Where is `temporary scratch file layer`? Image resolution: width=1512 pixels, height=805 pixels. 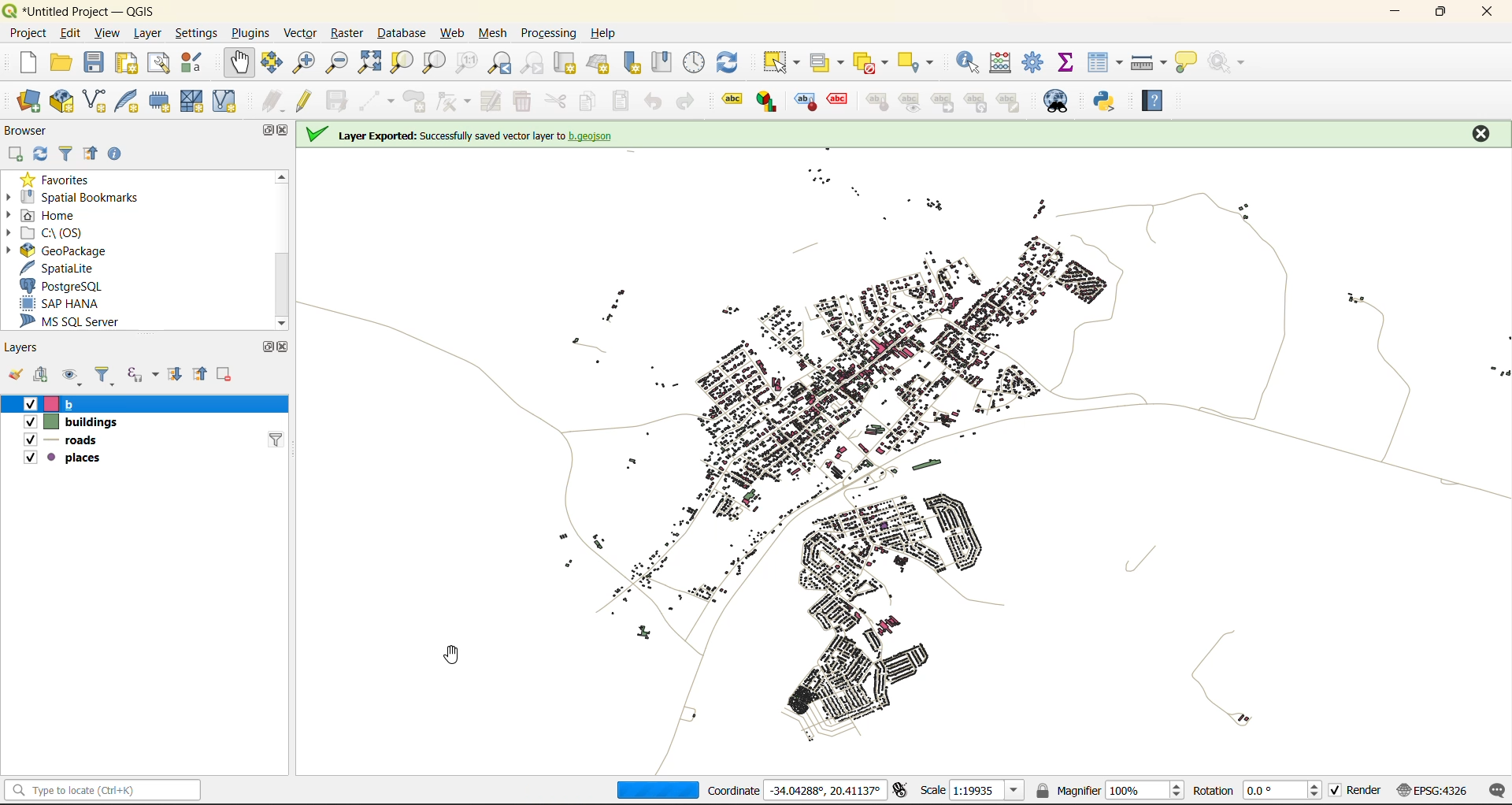 temporary scratch file layer is located at coordinates (165, 100).